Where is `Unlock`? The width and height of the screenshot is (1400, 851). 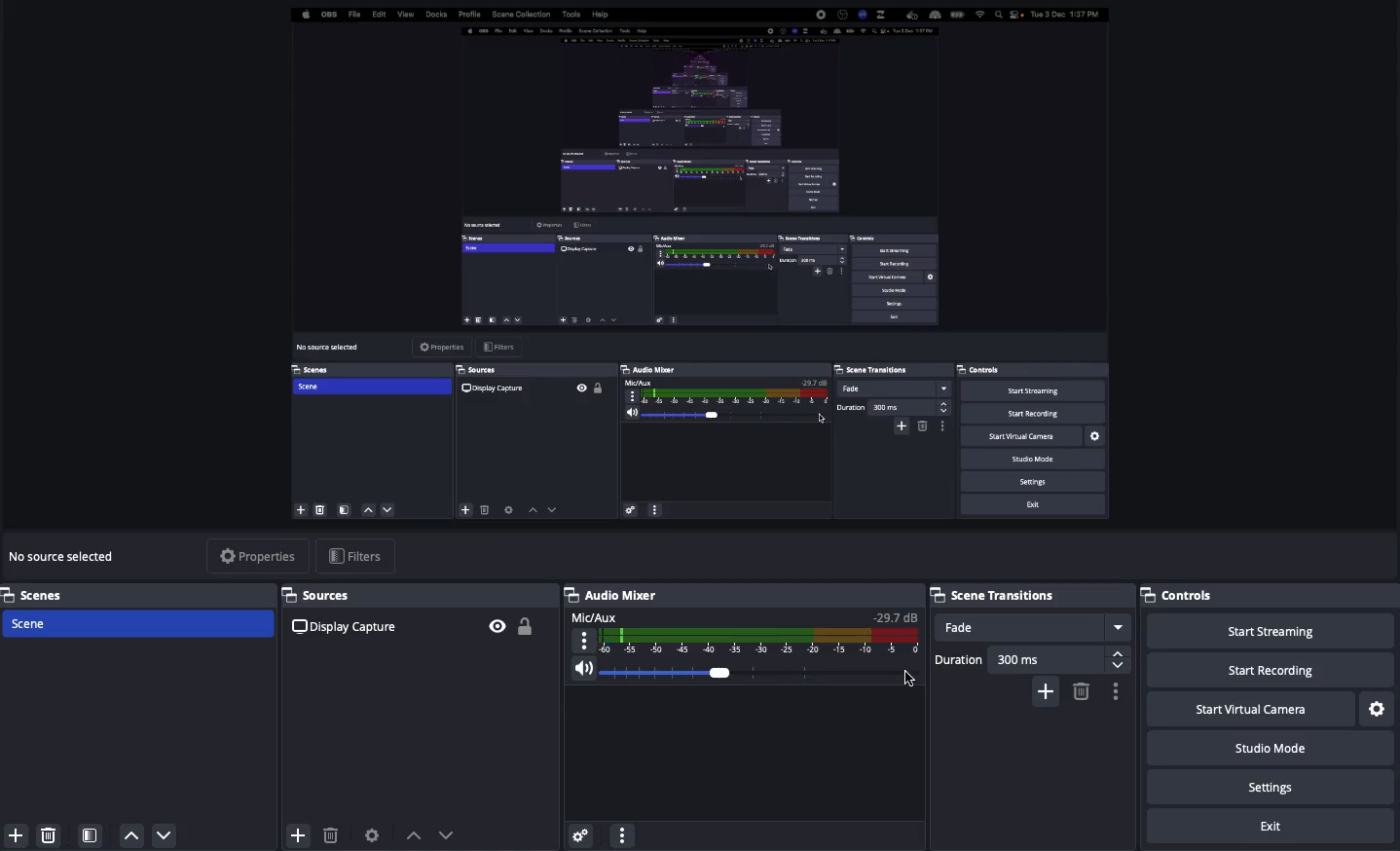
Unlock is located at coordinates (527, 627).